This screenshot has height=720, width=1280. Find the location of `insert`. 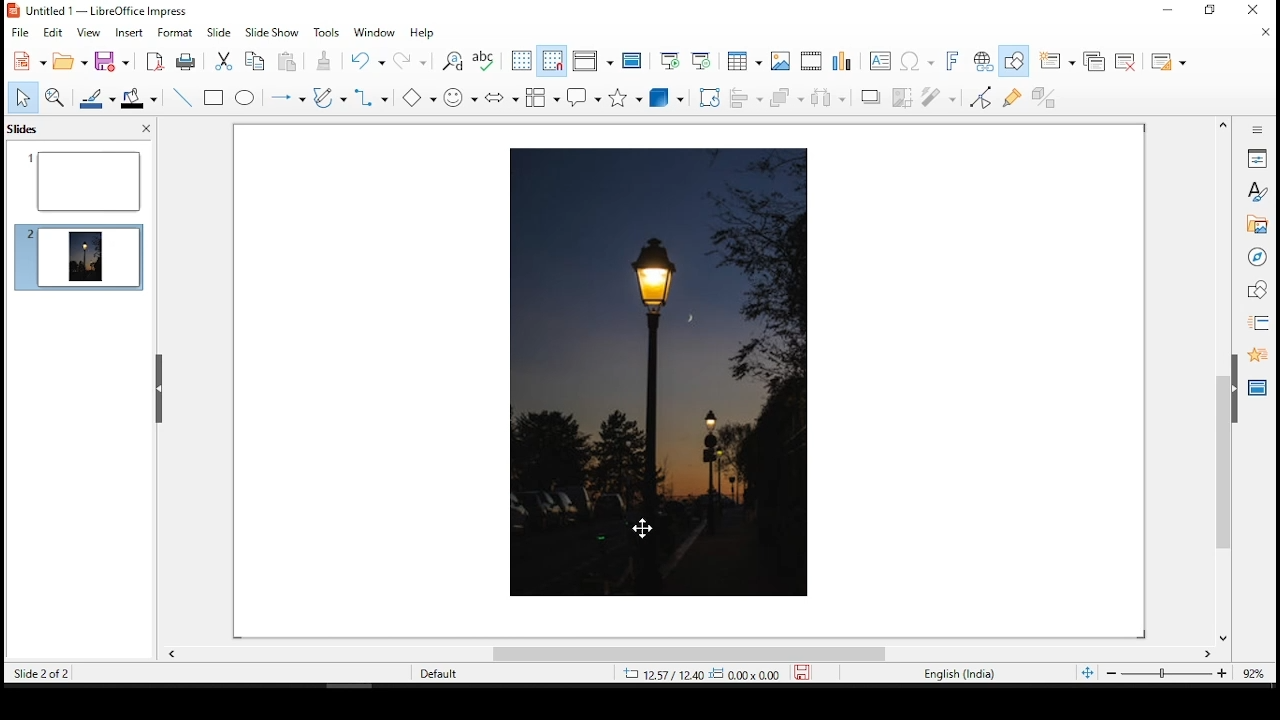

insert is located at coordinates (130, 33).